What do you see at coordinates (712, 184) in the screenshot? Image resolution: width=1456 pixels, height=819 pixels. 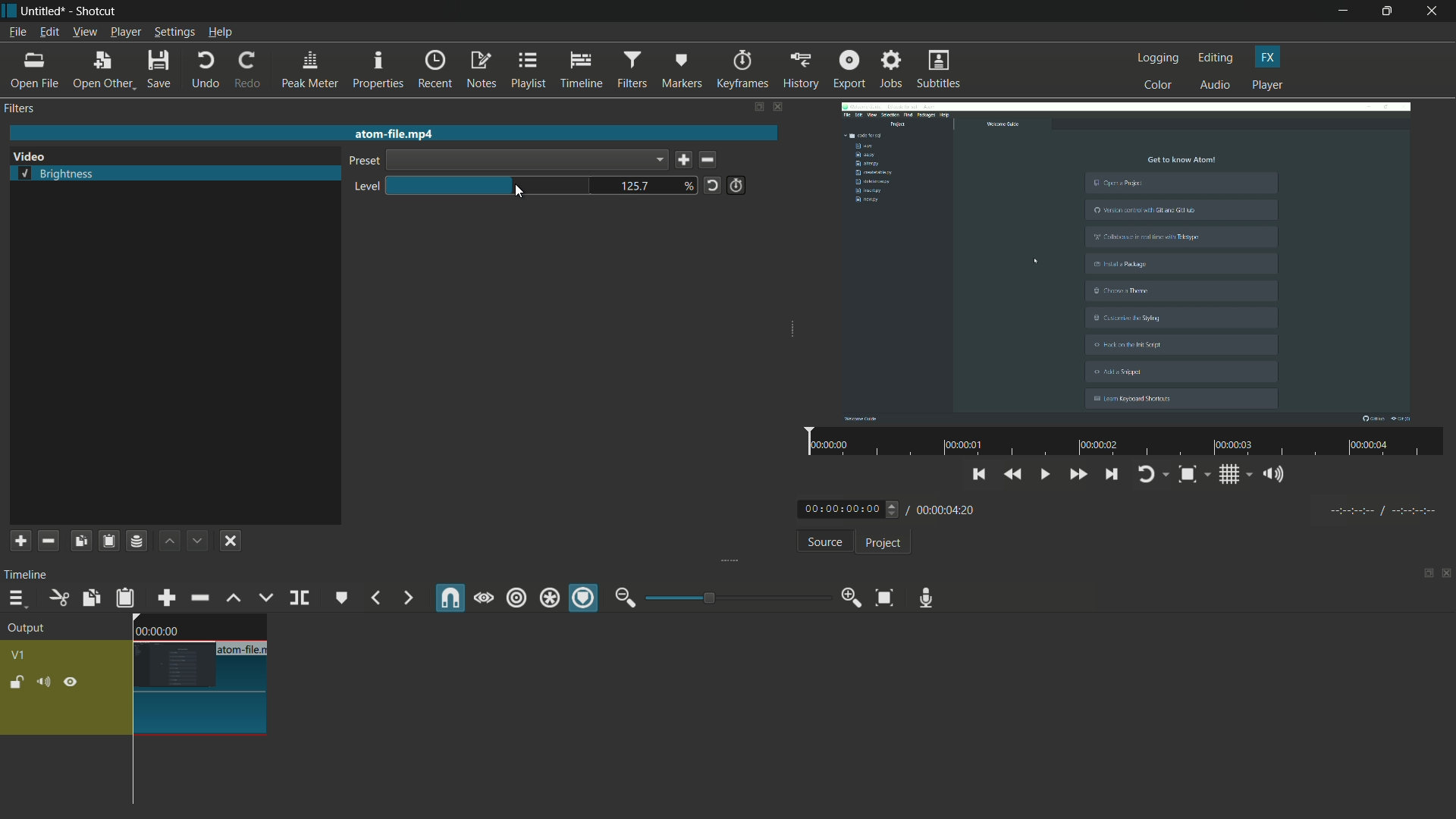 I see `reset to default` at bounding box center [712, 184].